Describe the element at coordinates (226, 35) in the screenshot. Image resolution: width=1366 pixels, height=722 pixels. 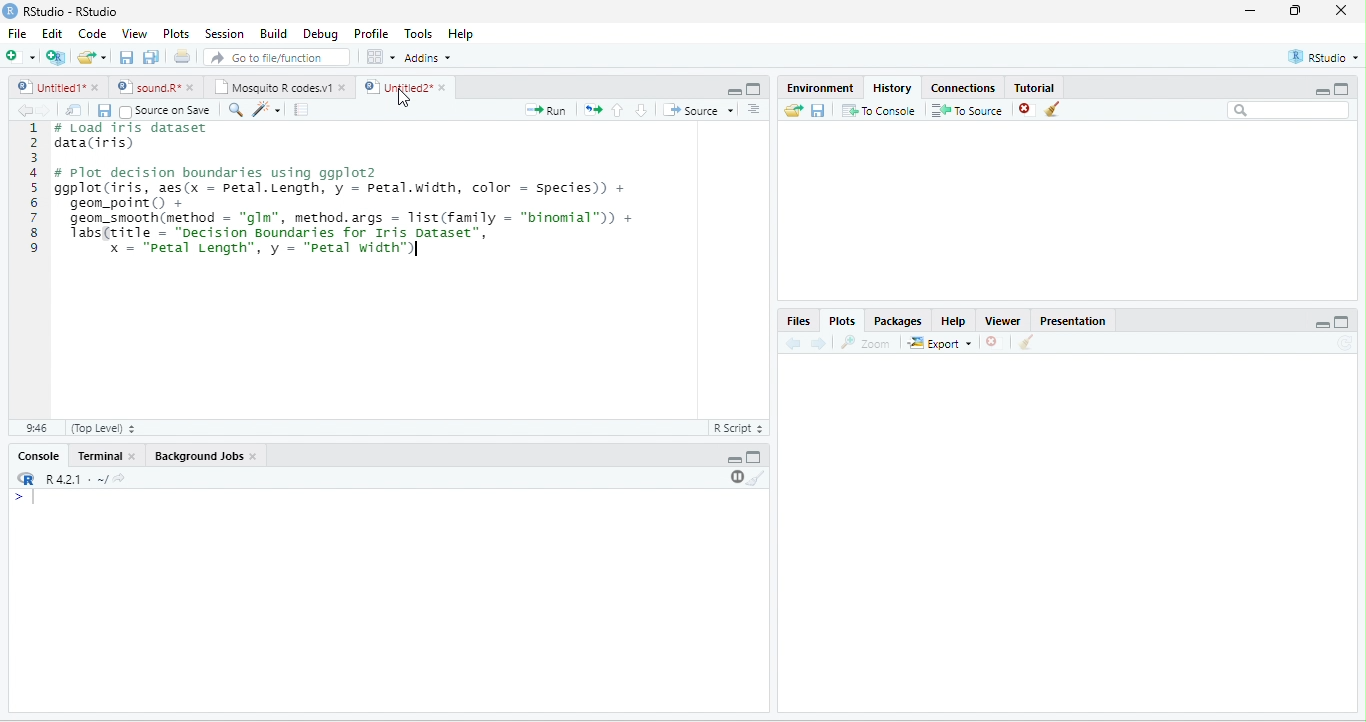
I see `Session` at that location.